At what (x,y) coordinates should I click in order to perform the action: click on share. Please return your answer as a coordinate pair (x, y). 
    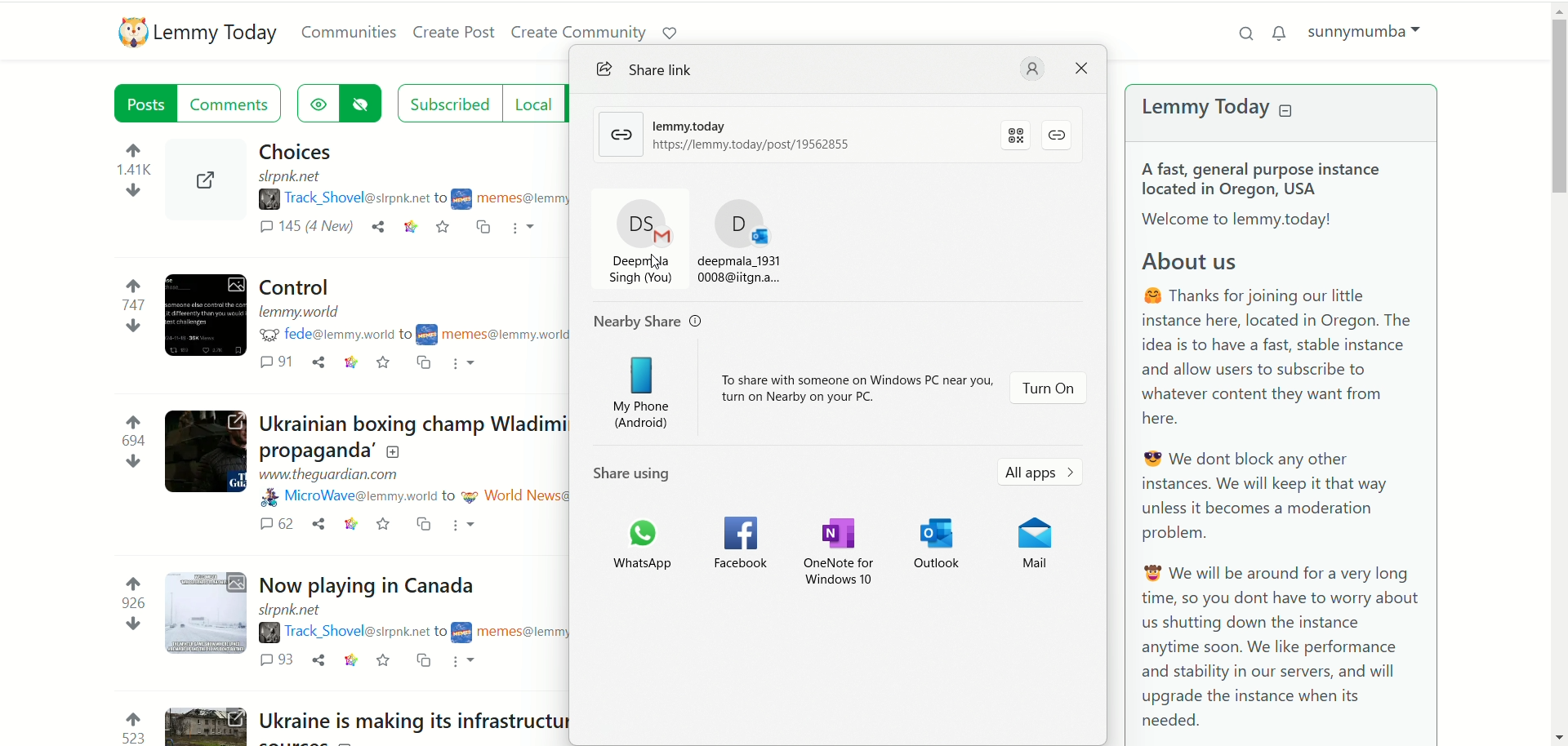
    Looking at the image, I should click on (376, 229).